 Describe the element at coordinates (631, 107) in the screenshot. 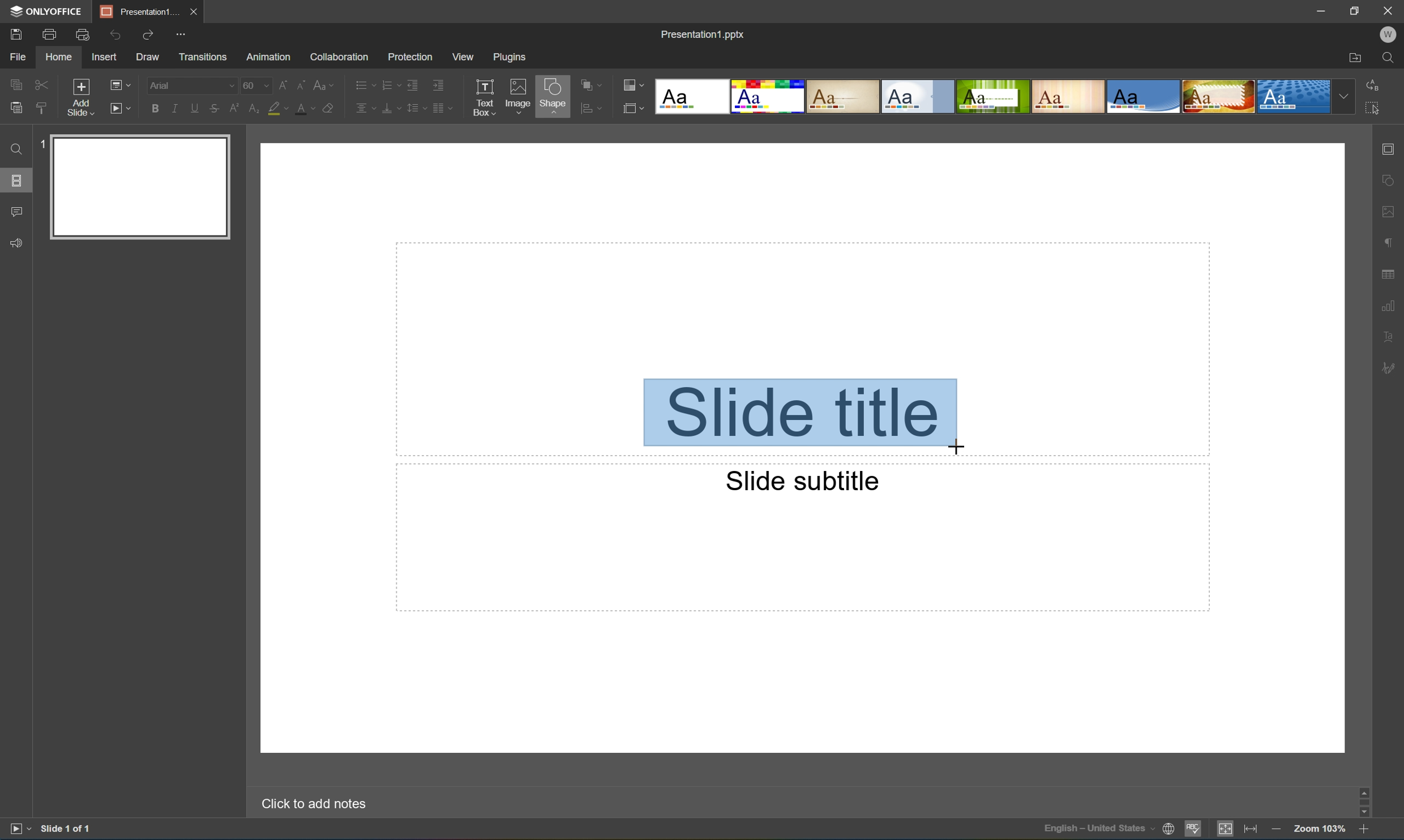

I see `icon` at that location.